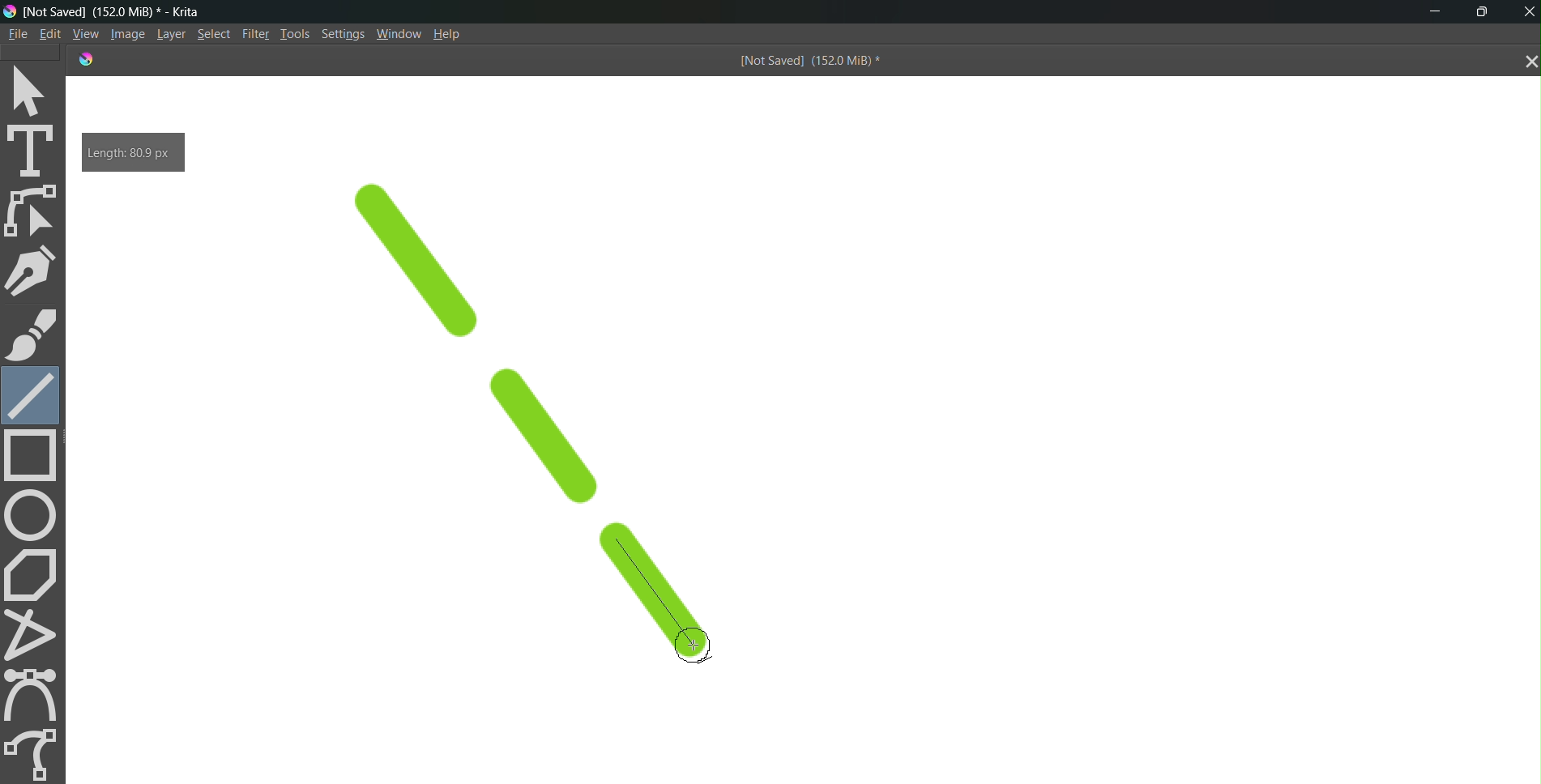 The height and width of the screenshot is (784, 1541). What do you see at coordinates (1526, 62) in the screenshot?
I see `close tab` at bounding box center [1526, 62].